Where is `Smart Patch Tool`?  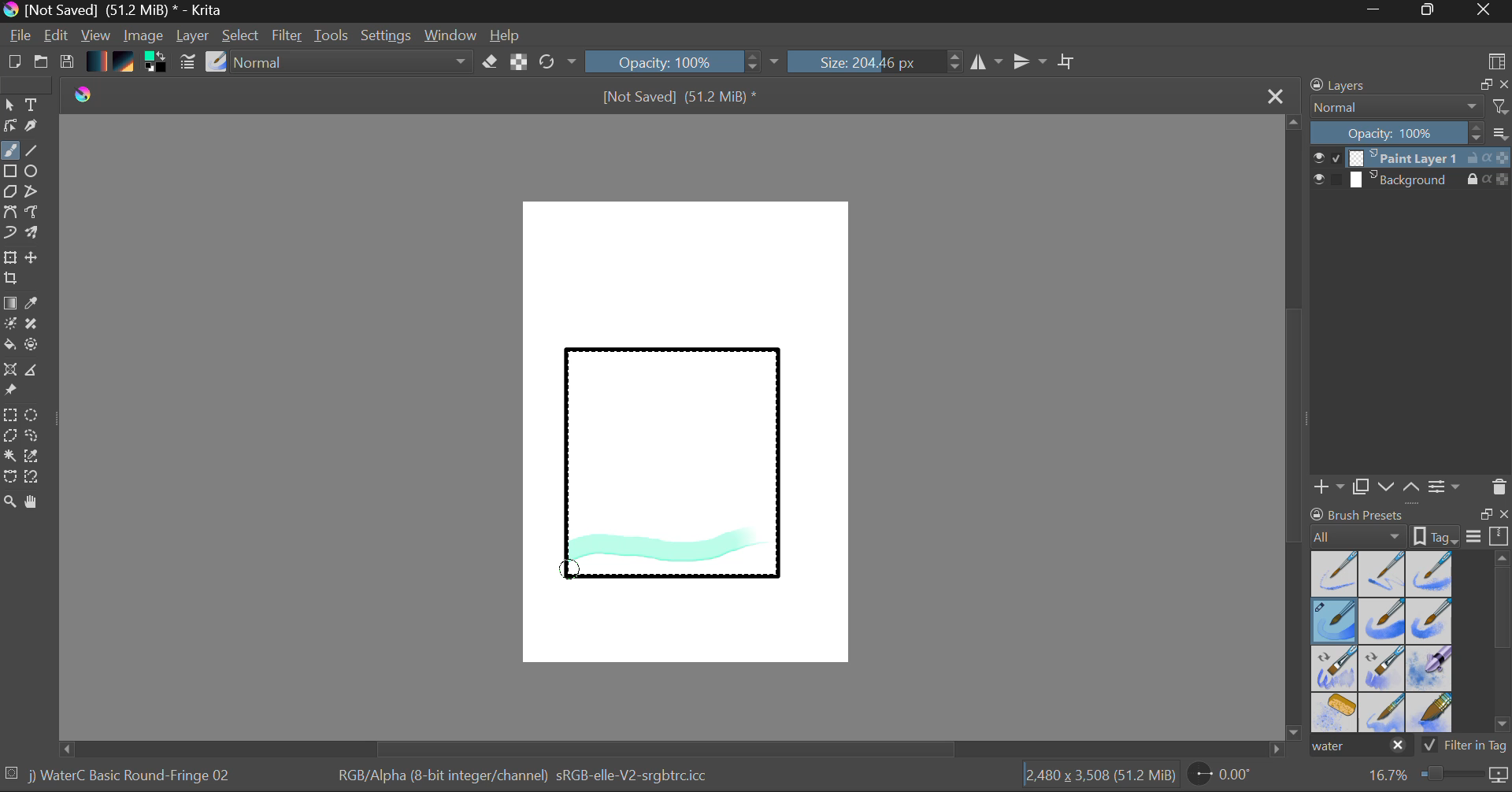
Smart Patch Tool is located at coordinates (37, 327).